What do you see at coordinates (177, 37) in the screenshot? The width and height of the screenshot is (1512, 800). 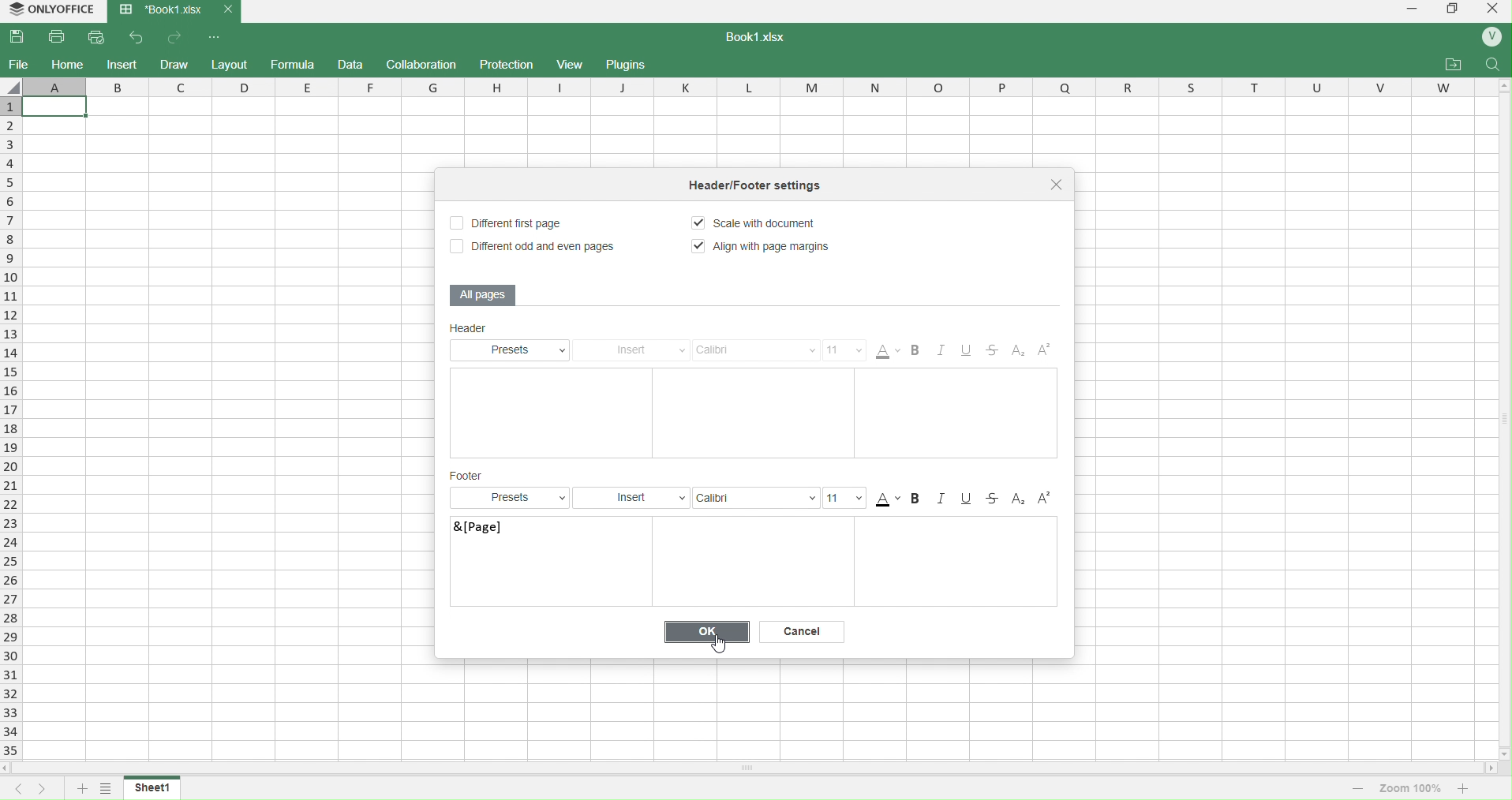 I see `forward` at bounding box center [177, 37].